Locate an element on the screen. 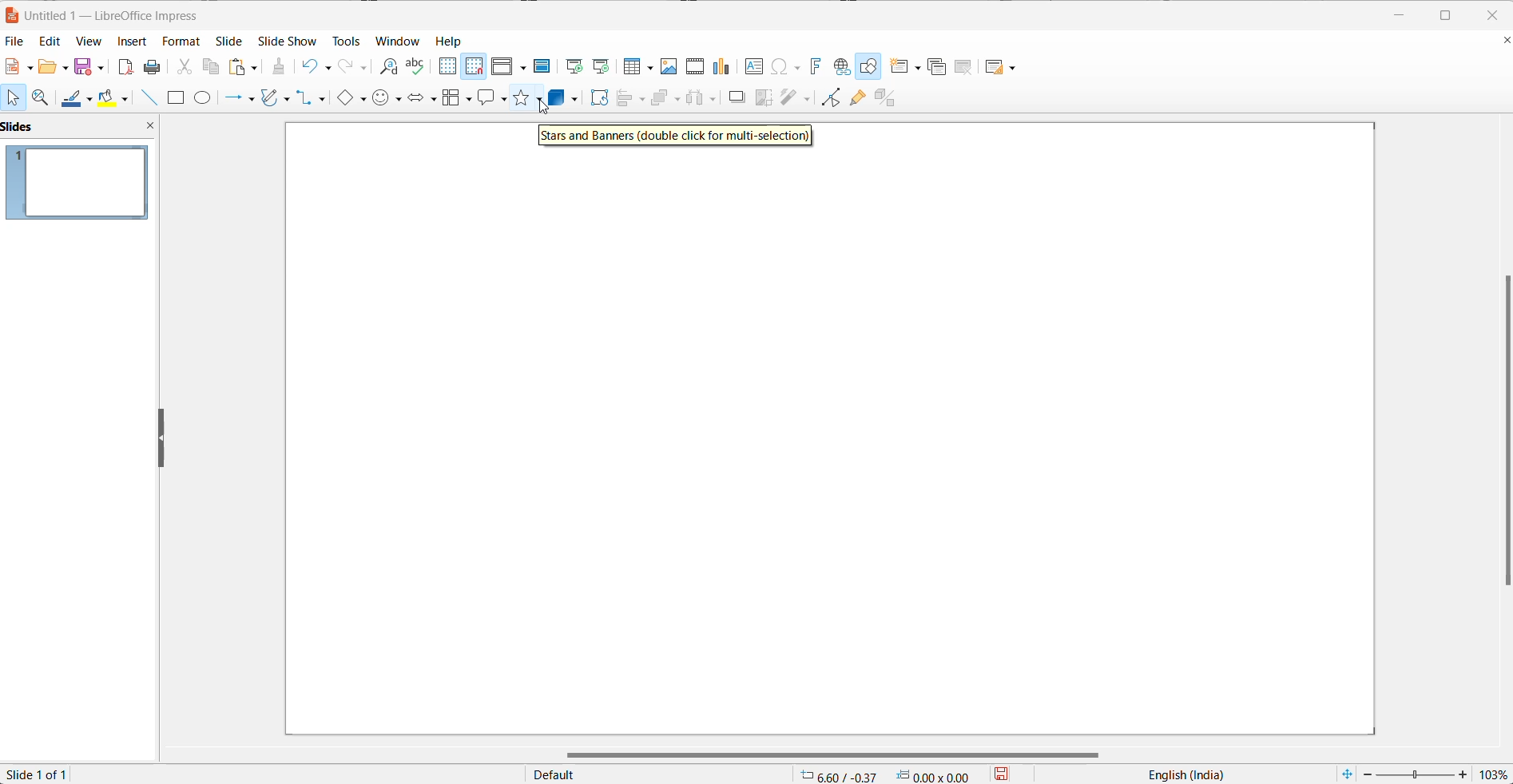 The width and height of the screenshot is (1513, 784). insert special characters is located at coordinates (785, 66).